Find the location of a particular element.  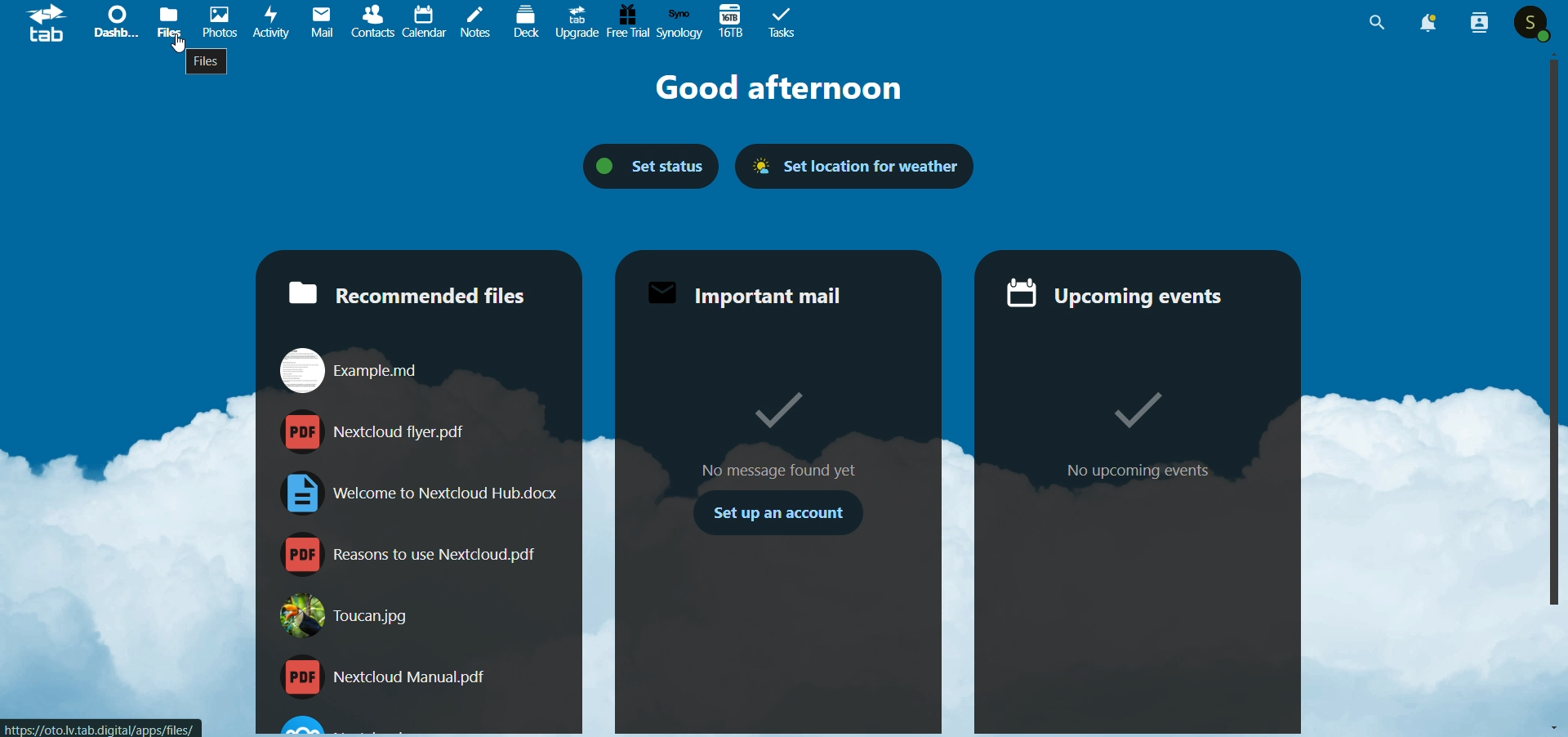

toucan is located at coordinates (345, 617).